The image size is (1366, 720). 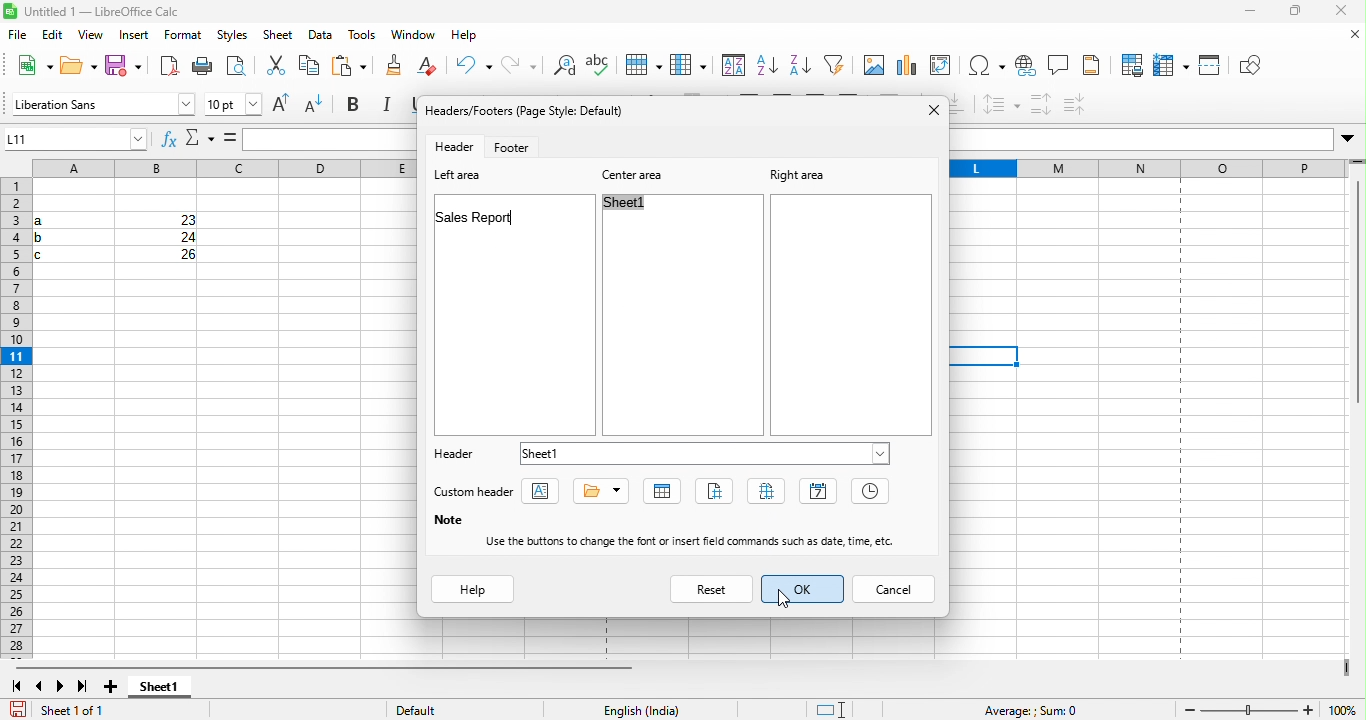 What do you see at coordinates (132, 39) in the screenshot?
I see `insert` at bounding box center [132, 39].